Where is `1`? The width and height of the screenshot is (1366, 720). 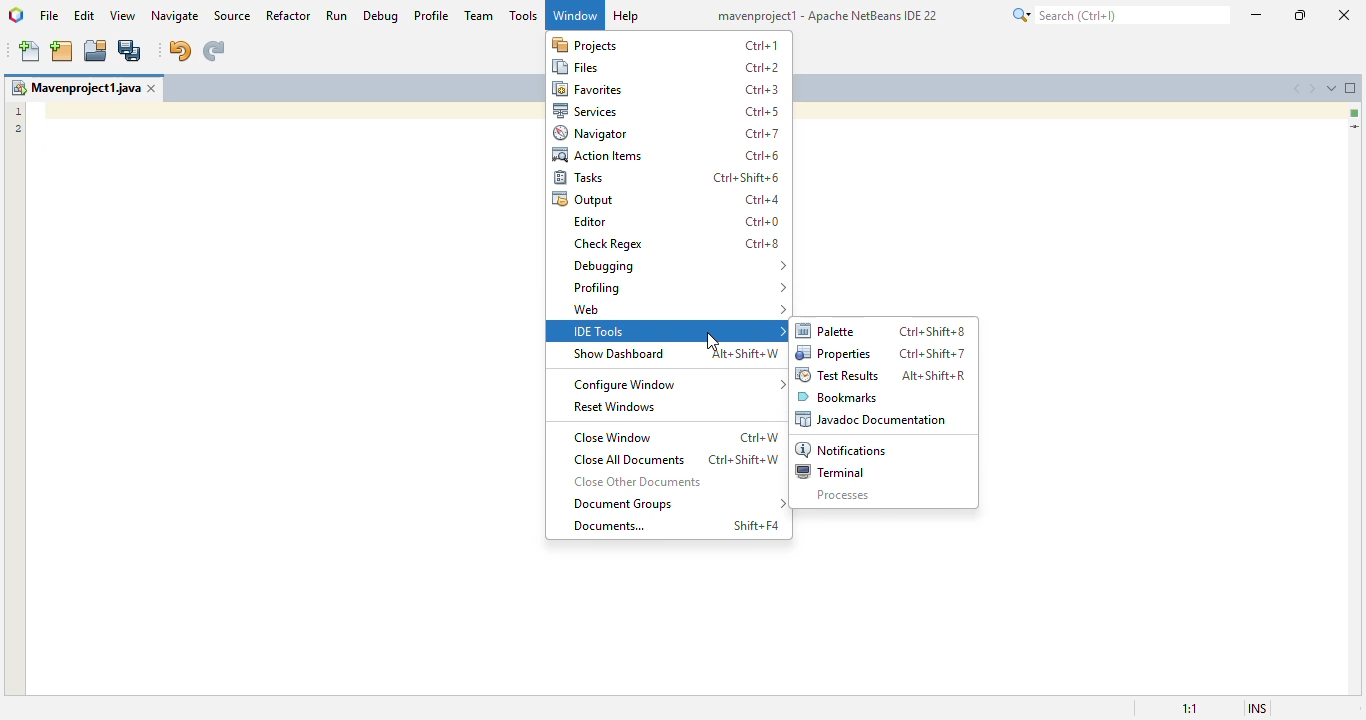
1 is located at coordinates (19, 110).